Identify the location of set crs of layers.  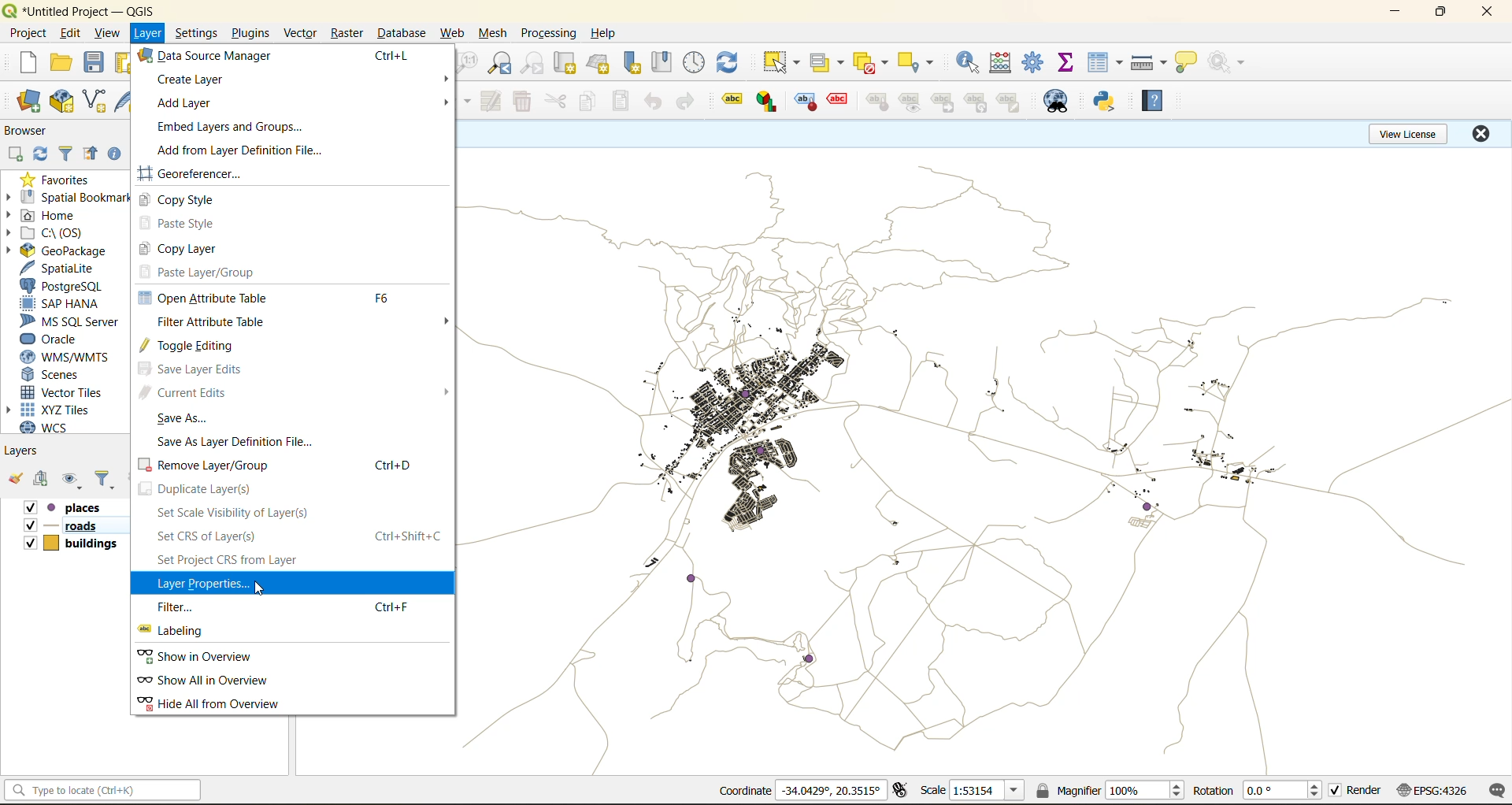
(296, 538).